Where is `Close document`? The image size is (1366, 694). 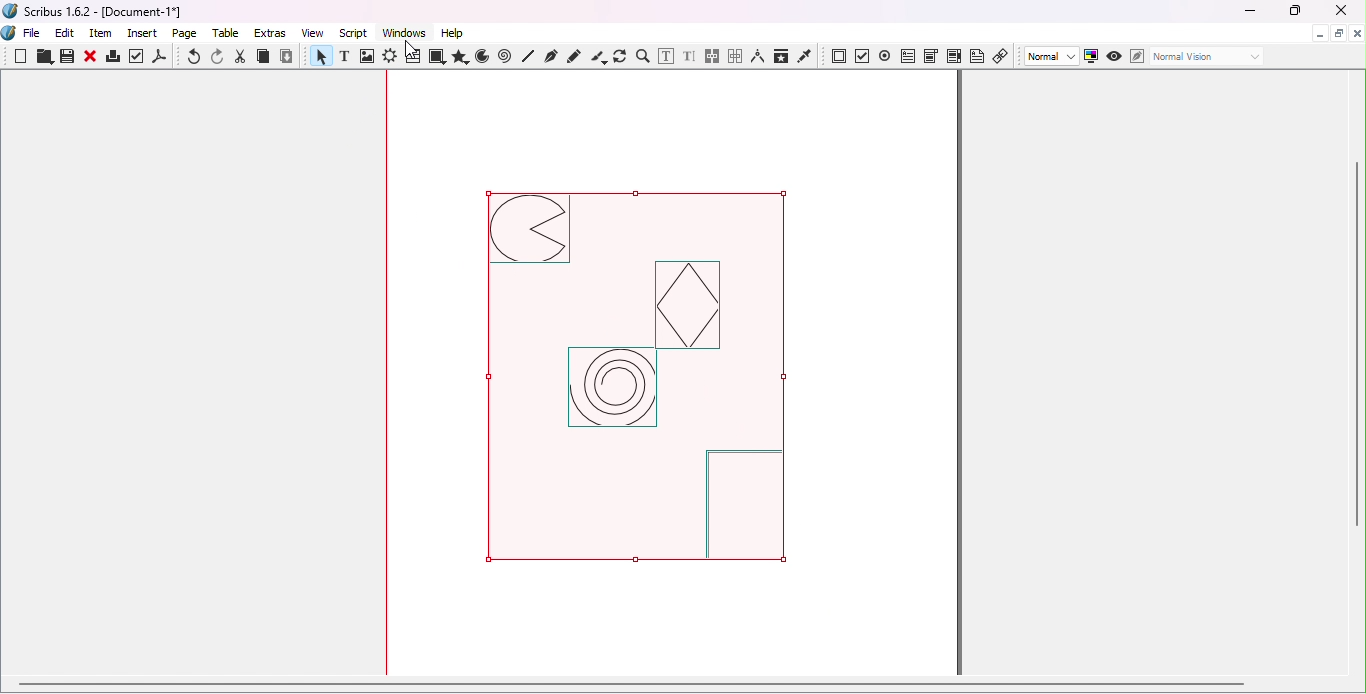
Close document is located at coordinates (1357, 34).